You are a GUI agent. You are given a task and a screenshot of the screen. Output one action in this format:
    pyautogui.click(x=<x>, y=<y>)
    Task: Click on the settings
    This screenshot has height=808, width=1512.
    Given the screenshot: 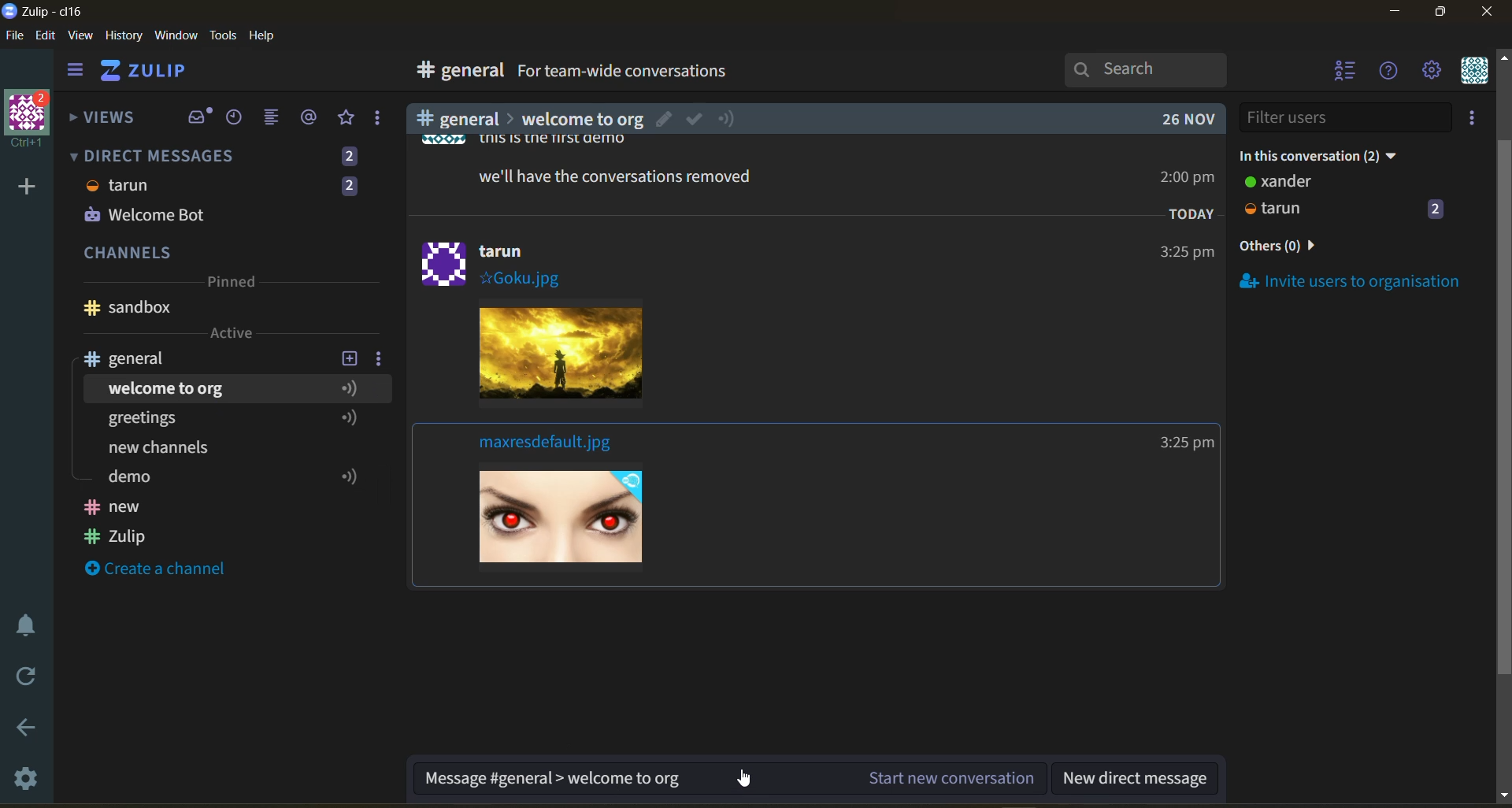 What is the action you would take?
    pyautogui.click(x=28, y=781)
    